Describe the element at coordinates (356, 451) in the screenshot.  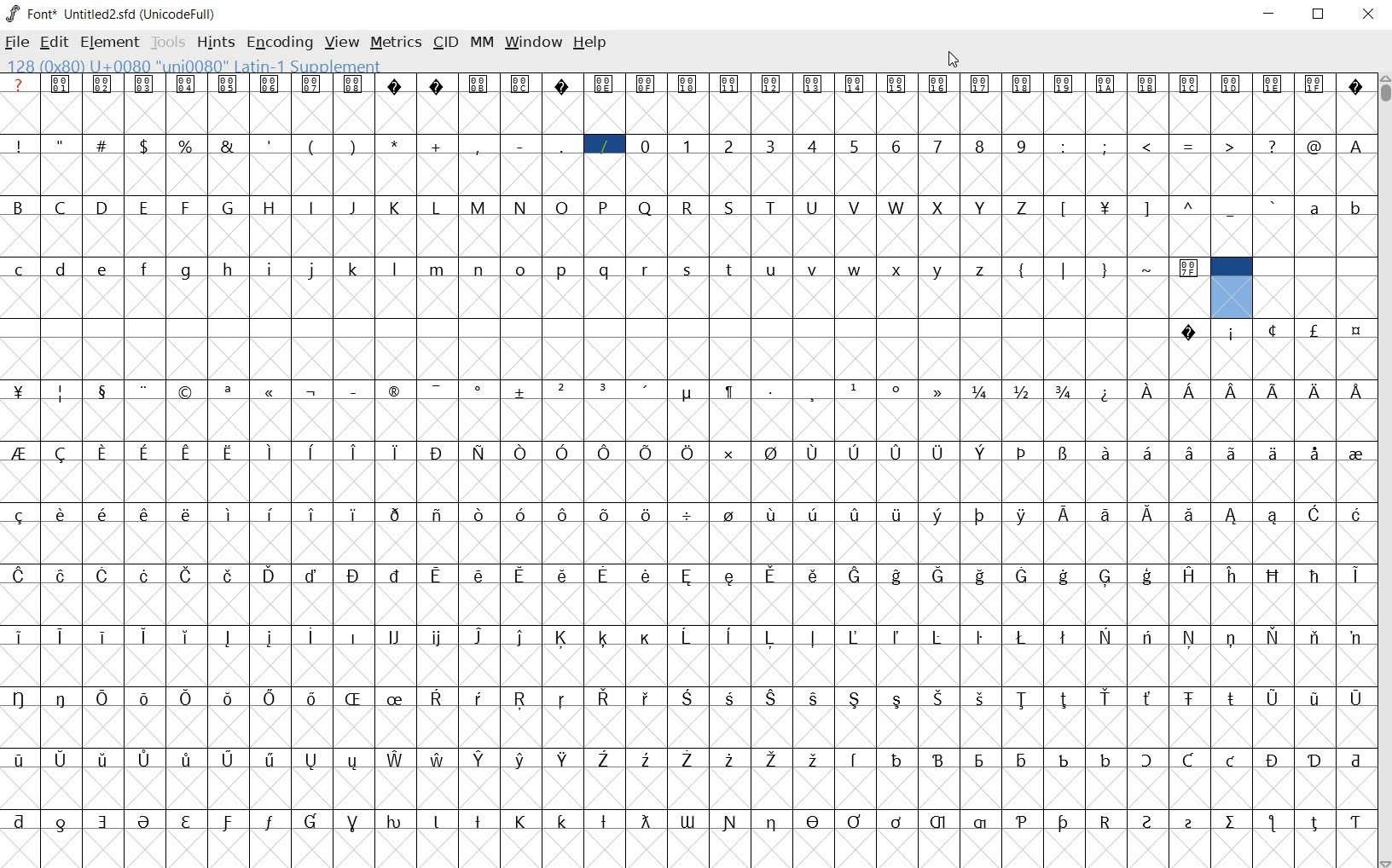
I see `Symbol` at that location.